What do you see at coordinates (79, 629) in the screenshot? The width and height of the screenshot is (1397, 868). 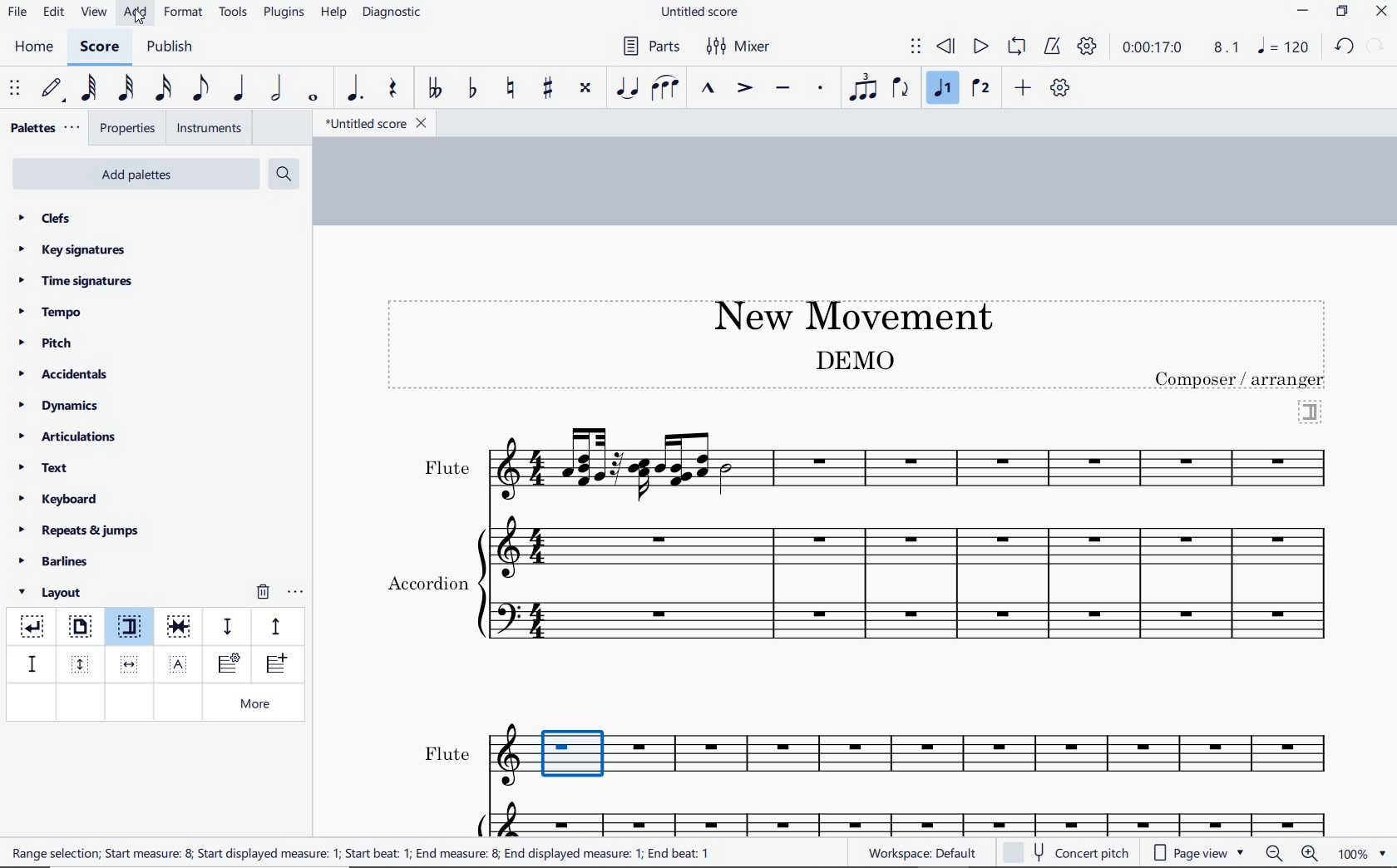 I see `page break` at bounding box center [79, 629].